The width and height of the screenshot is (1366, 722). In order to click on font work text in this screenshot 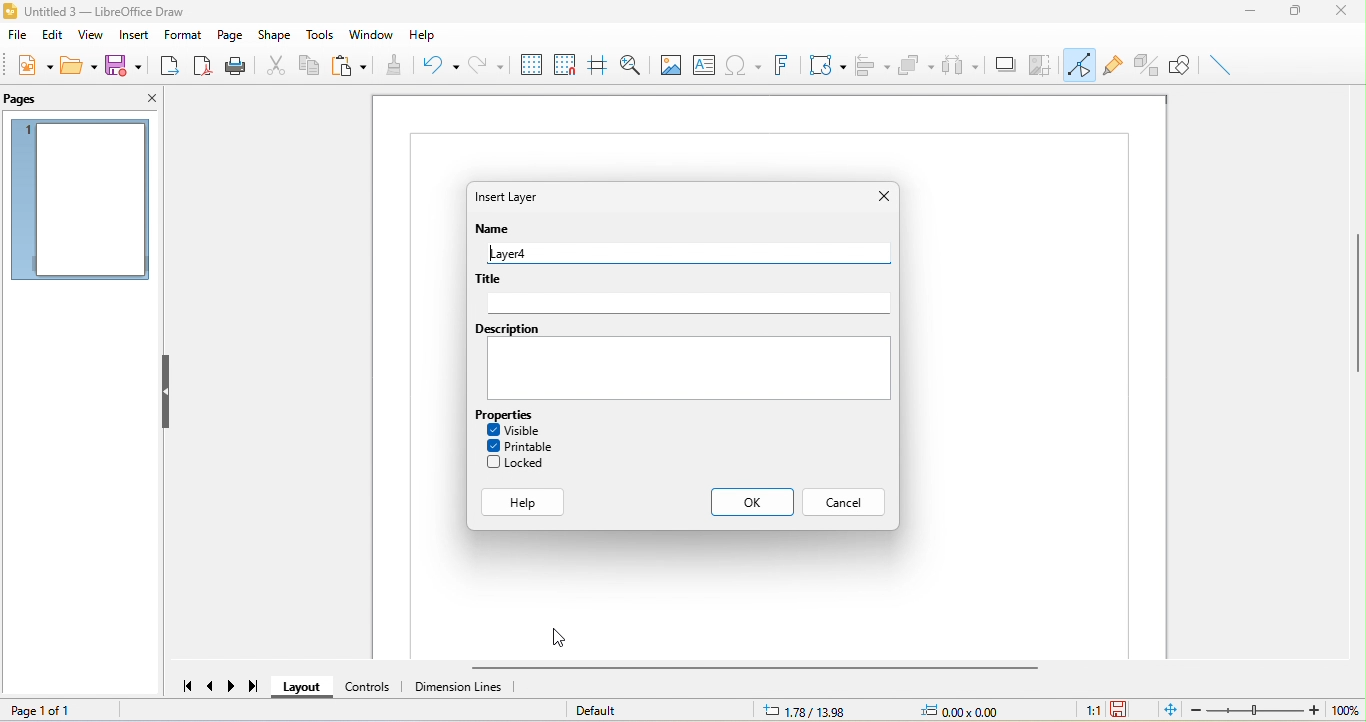, I will do `click(781, 63)`.